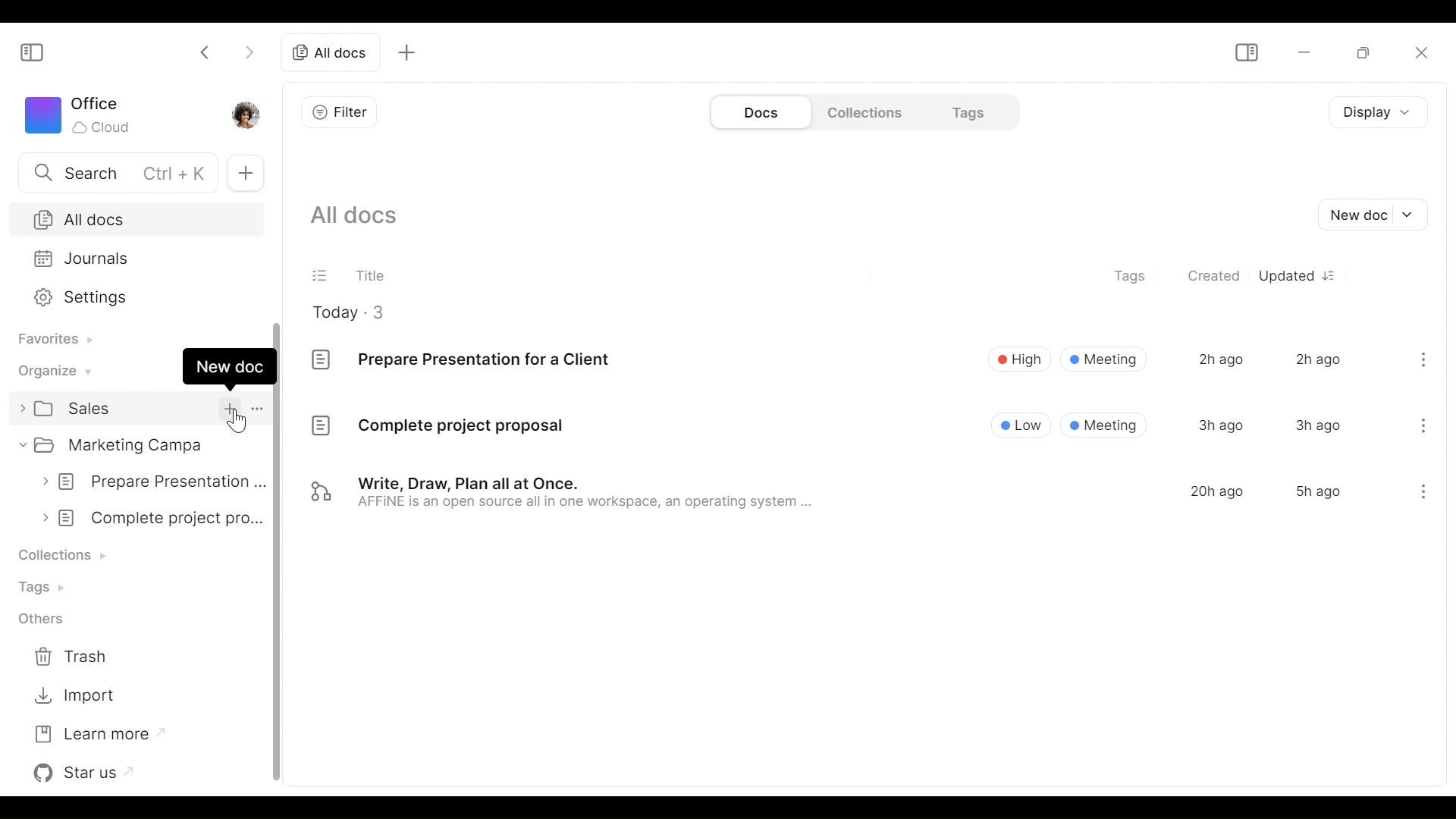 Image resolution: width=1456 pixels, height=819 pixels. What do you see at coordinates (1217, 491) in the screenshot?
I see `20h ago` at bounding box center [1217, 491].